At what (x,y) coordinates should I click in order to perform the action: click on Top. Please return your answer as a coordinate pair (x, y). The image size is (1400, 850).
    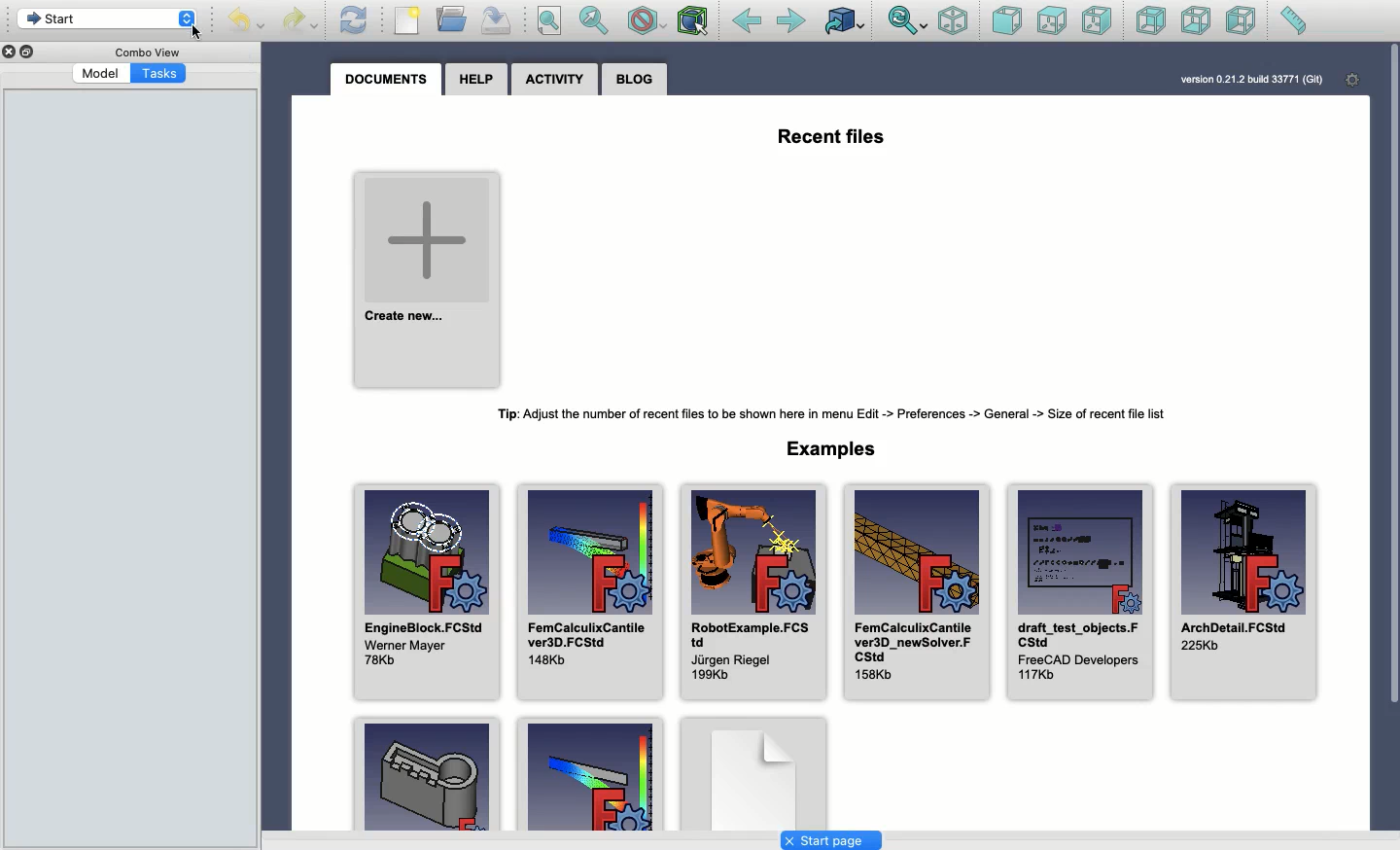
    Looking at the image, I should click on (1051, 21).